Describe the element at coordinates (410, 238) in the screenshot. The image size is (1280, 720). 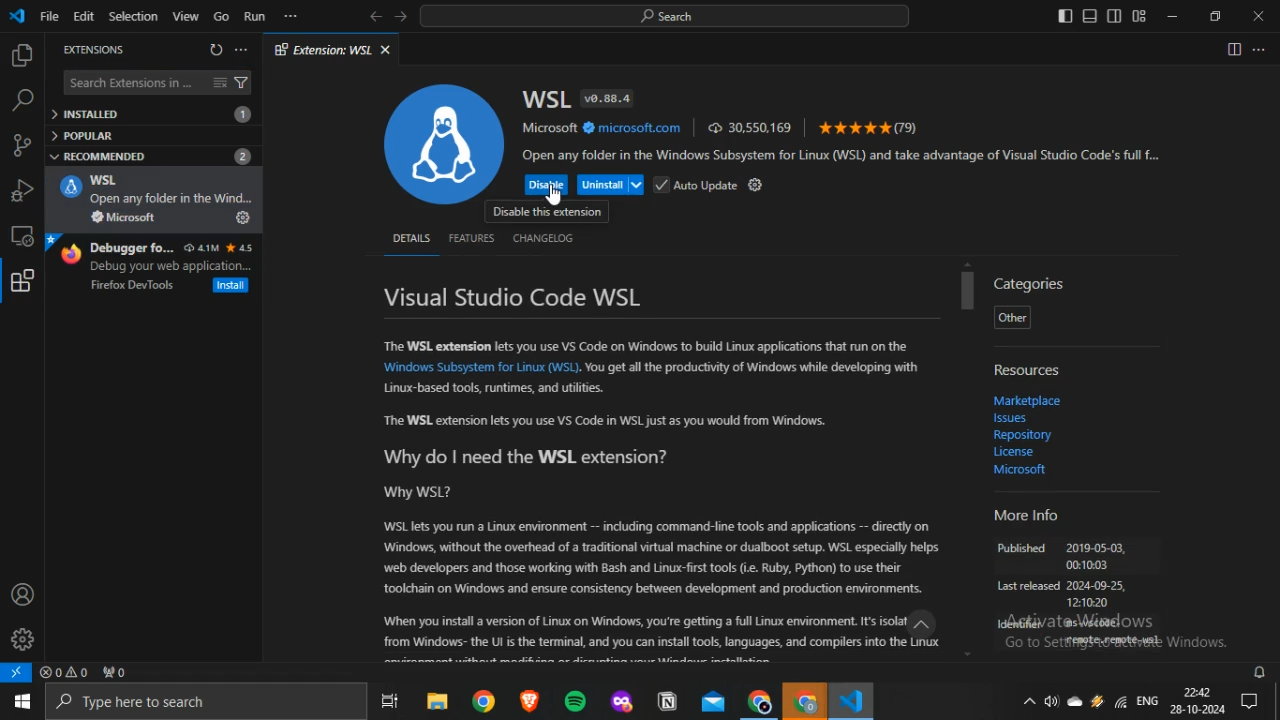
I see `DETAILS` at that location.